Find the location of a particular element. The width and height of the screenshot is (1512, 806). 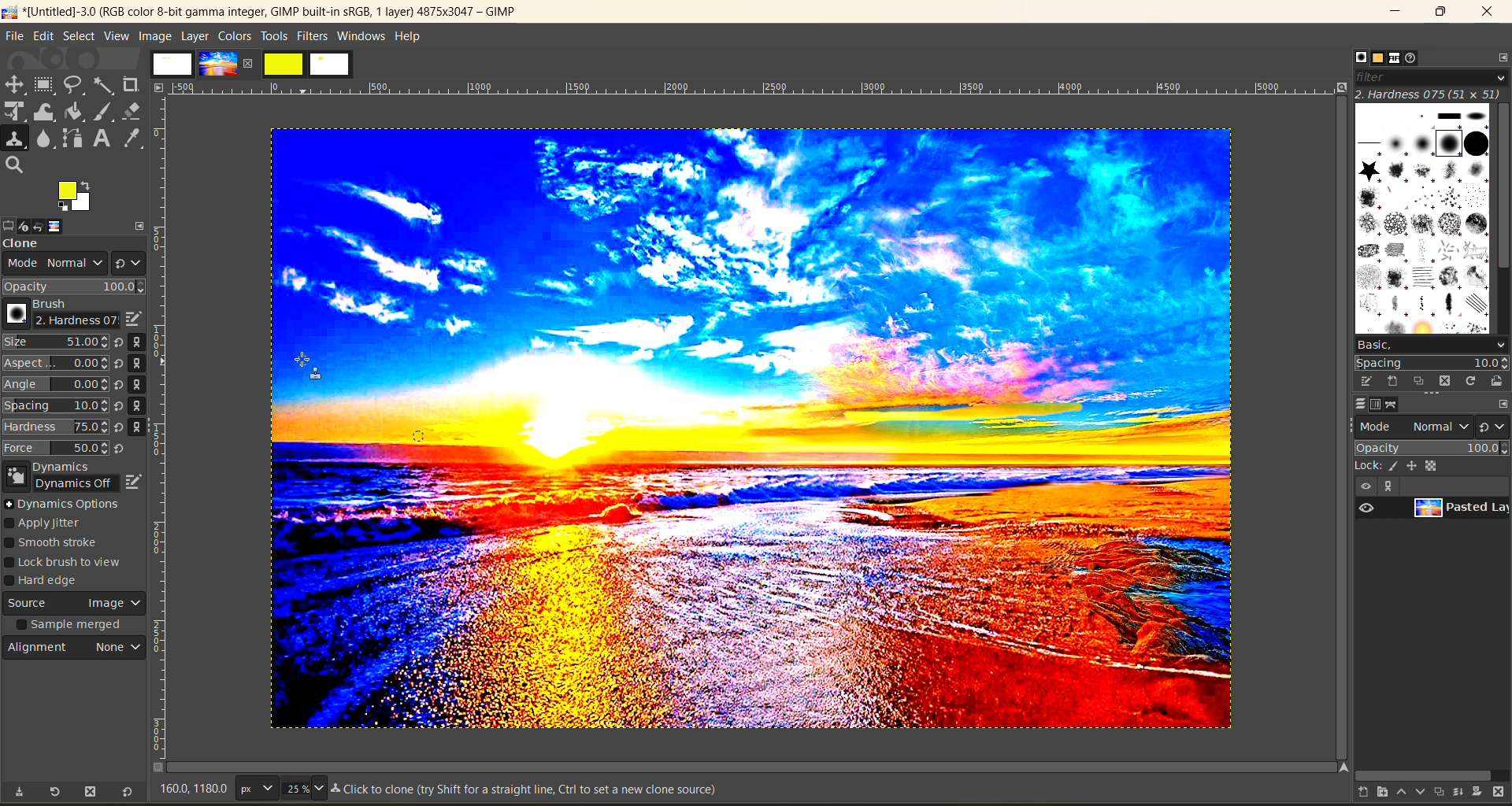

image is located at coordinates (217, 64).